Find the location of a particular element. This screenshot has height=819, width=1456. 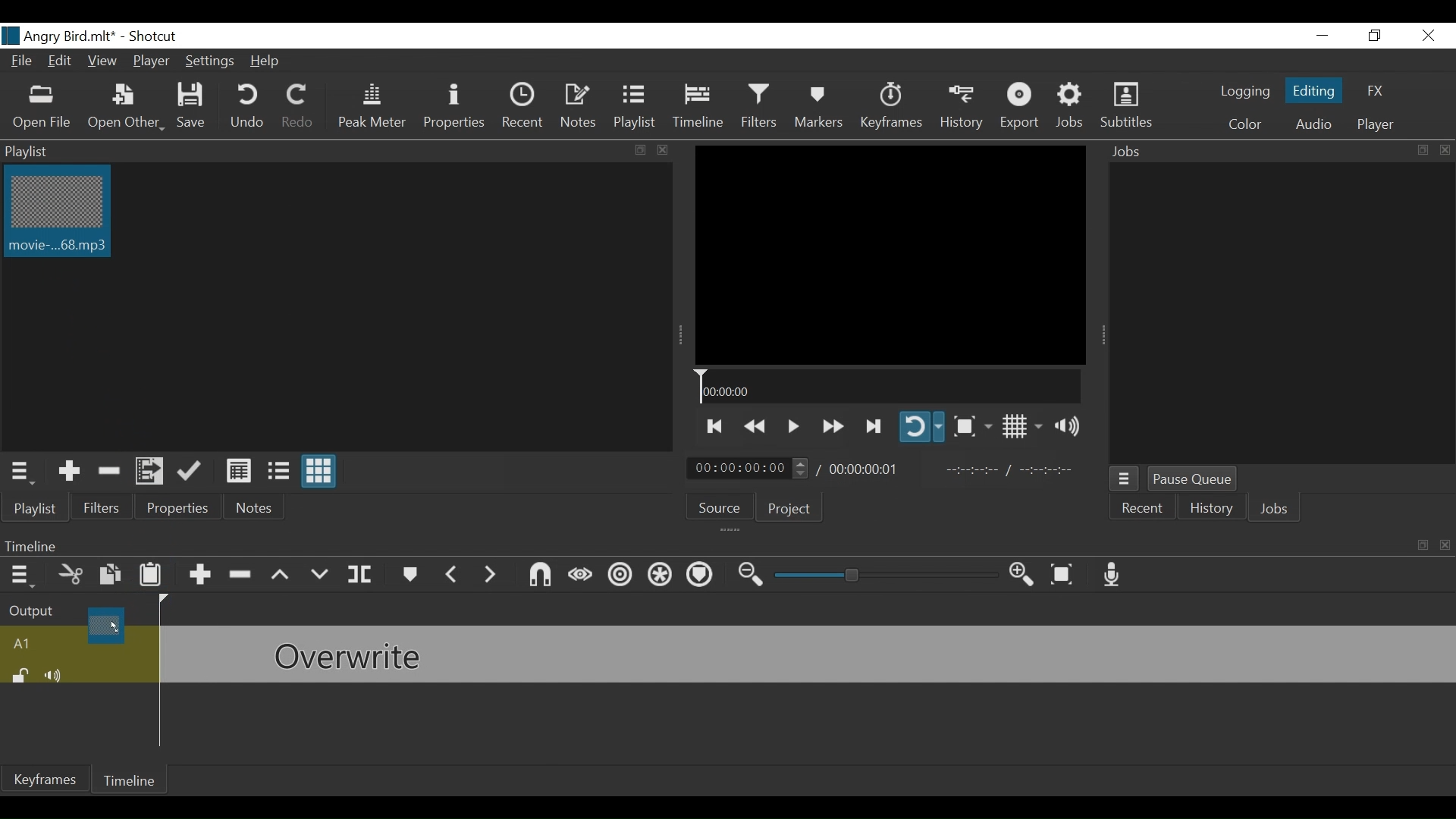

Markers is located at coordinates (409, 573).